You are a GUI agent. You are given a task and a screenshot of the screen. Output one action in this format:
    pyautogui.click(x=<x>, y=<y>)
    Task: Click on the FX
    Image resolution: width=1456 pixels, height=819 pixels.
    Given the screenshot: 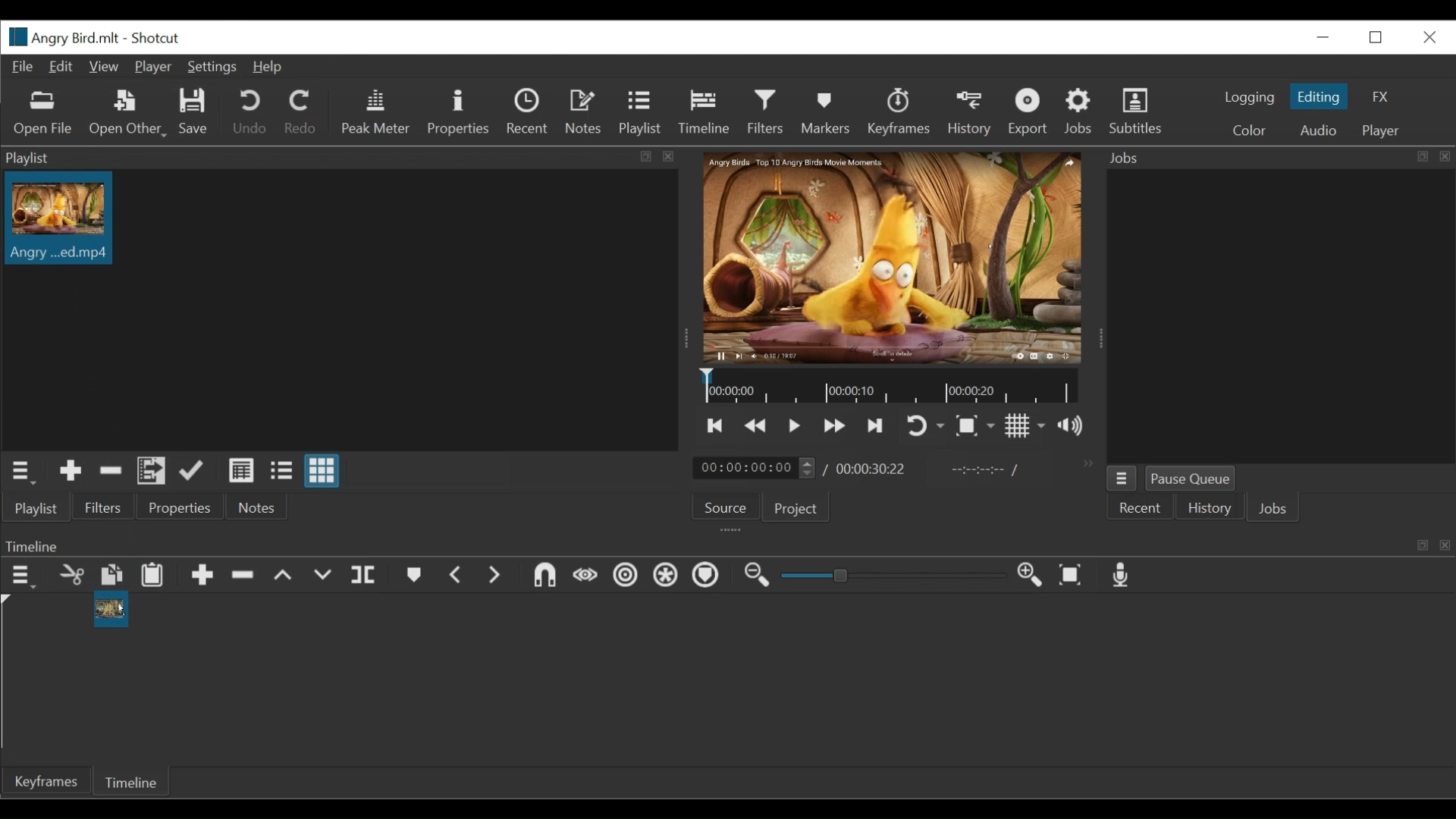 What is the action you would take?
    pyautogui.click(x=1379, y=96)
    